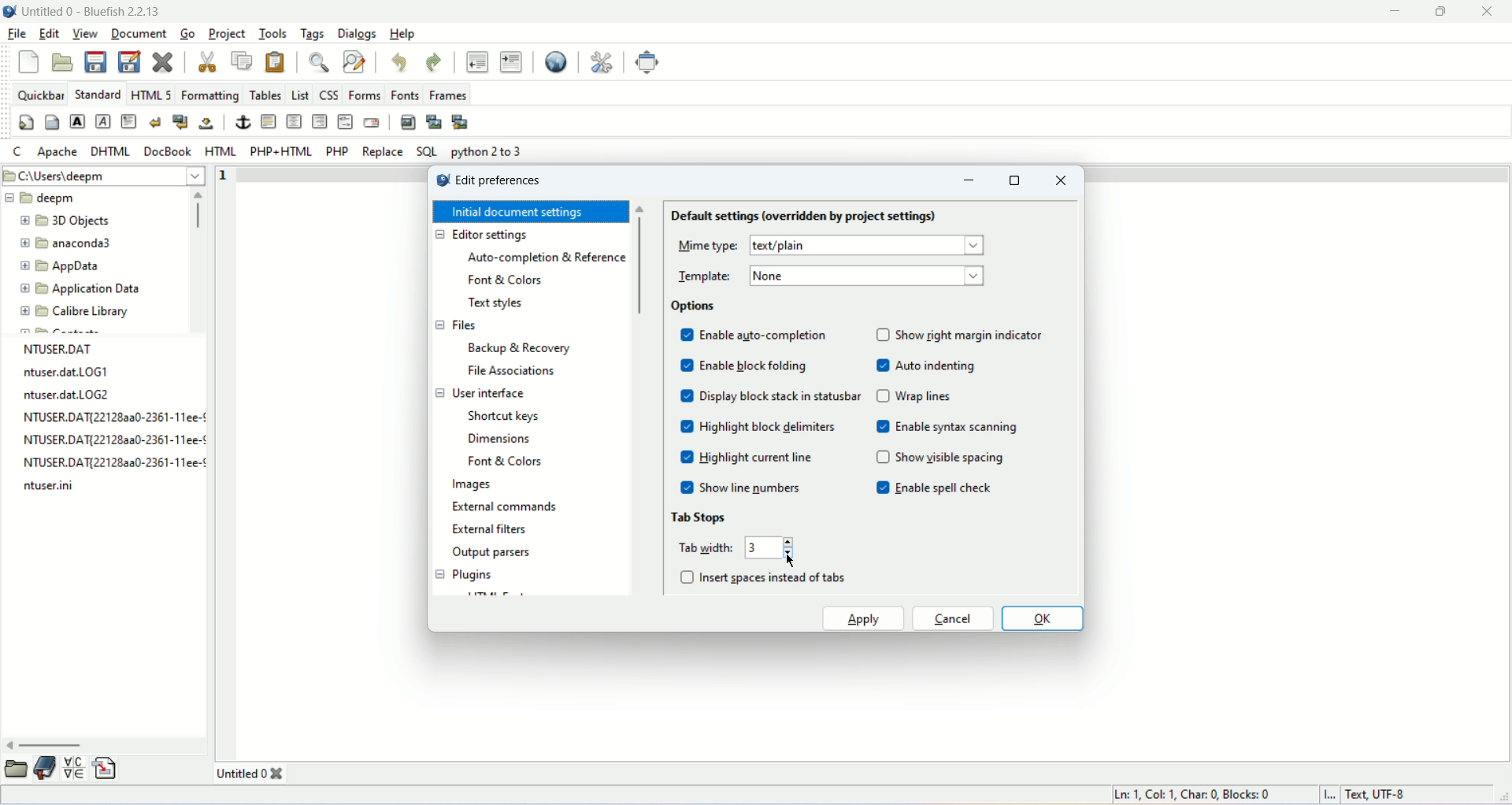  What do you see at coordinates (760, 547) in the screenshot?
I see `3` at bounding box center [760, 547].